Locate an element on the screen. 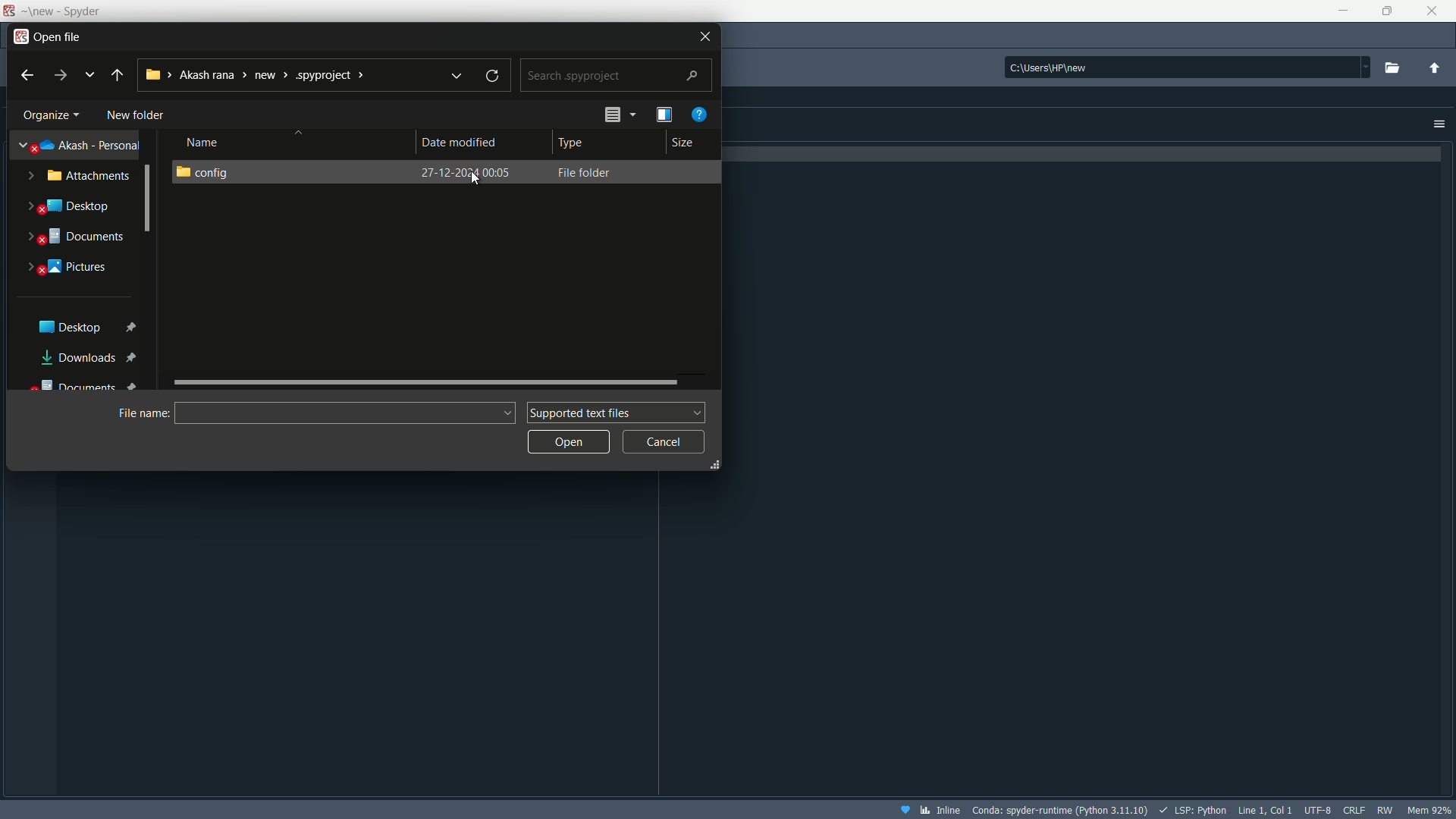 This screenshot has width=1456, height=819. change to parent directory is located at coordinates (1435, 68).